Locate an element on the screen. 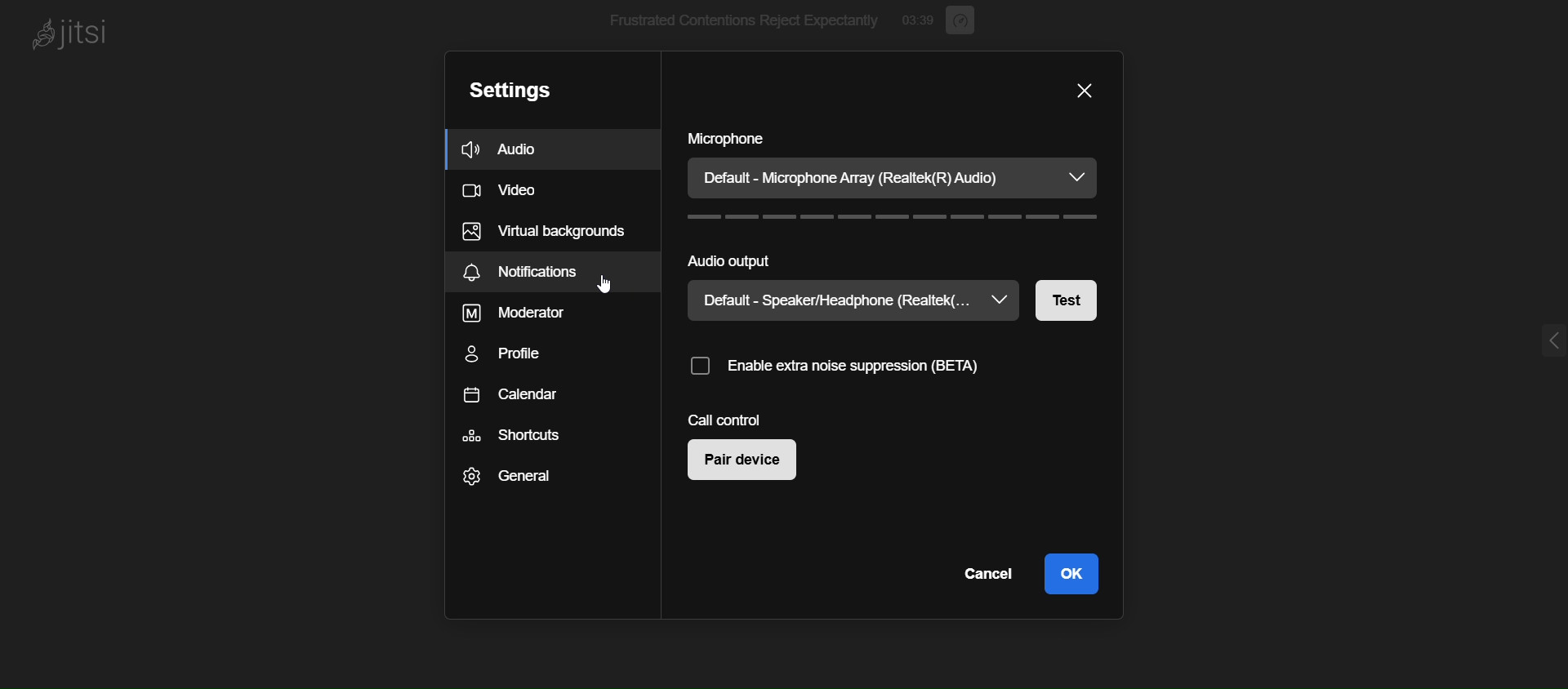  close settings is located at coordinates (1076, 90).